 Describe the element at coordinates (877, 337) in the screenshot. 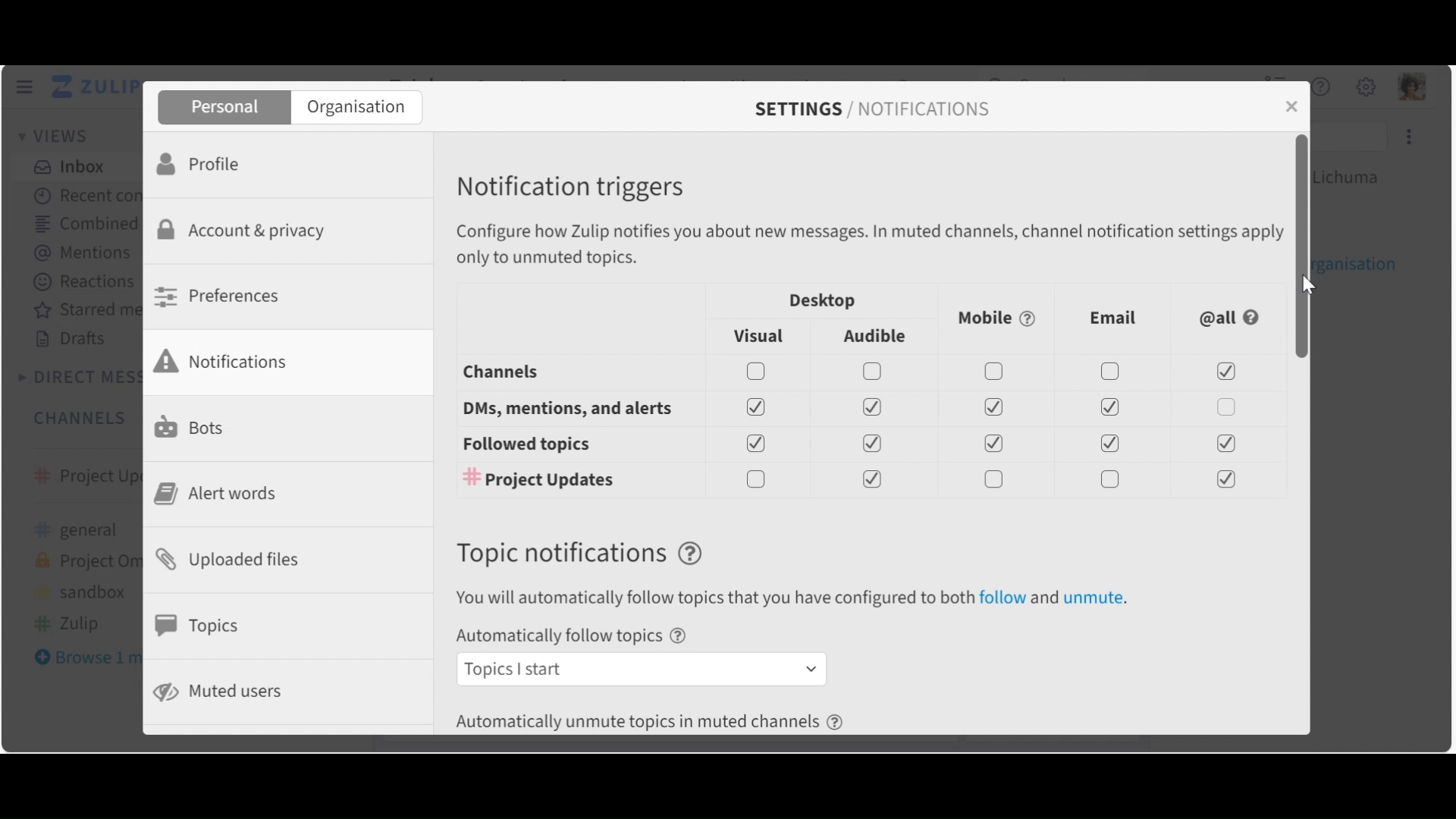

I see `Audible` at that location.